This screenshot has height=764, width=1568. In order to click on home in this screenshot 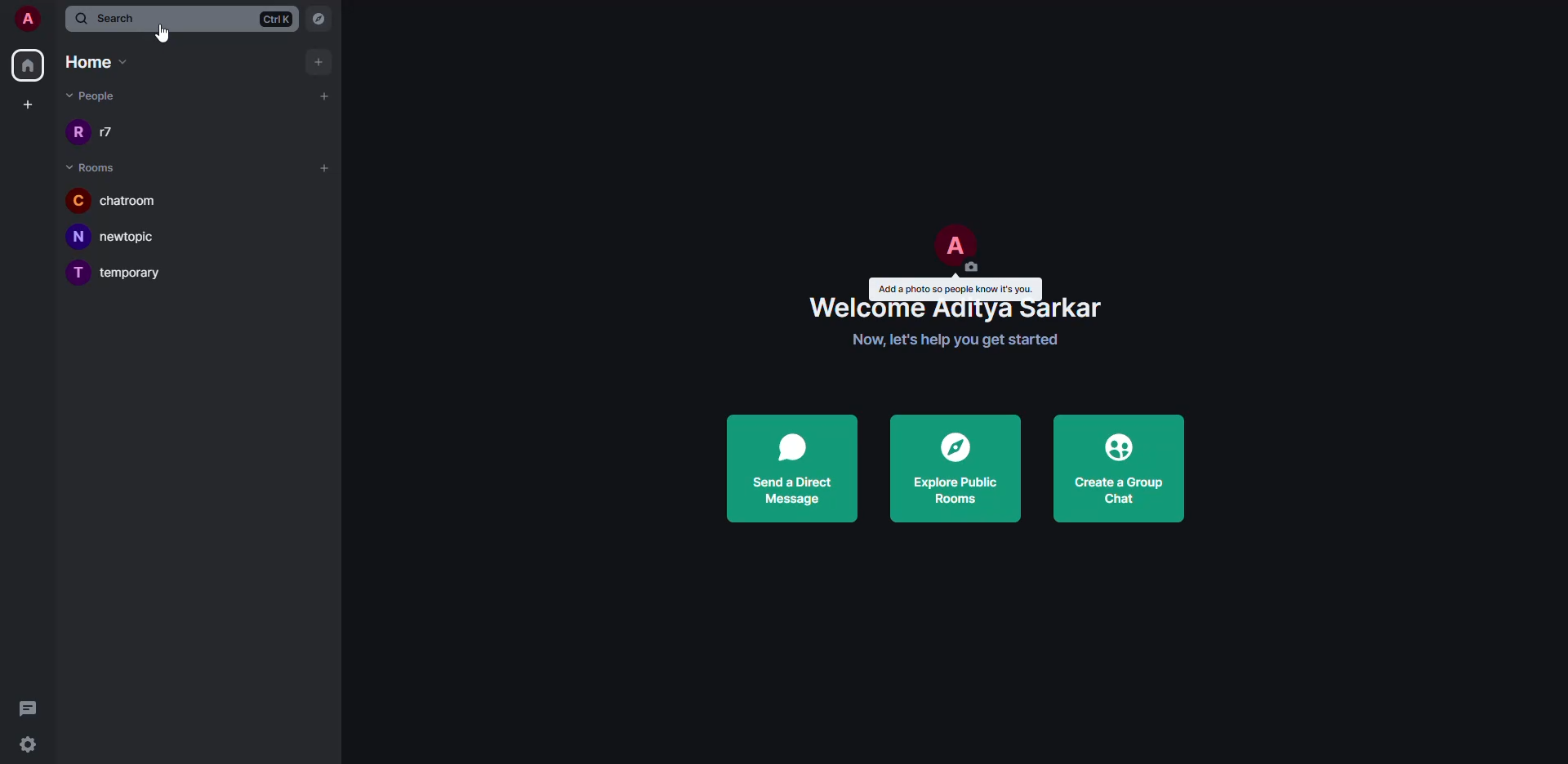, I will do `click(28, 64)`.